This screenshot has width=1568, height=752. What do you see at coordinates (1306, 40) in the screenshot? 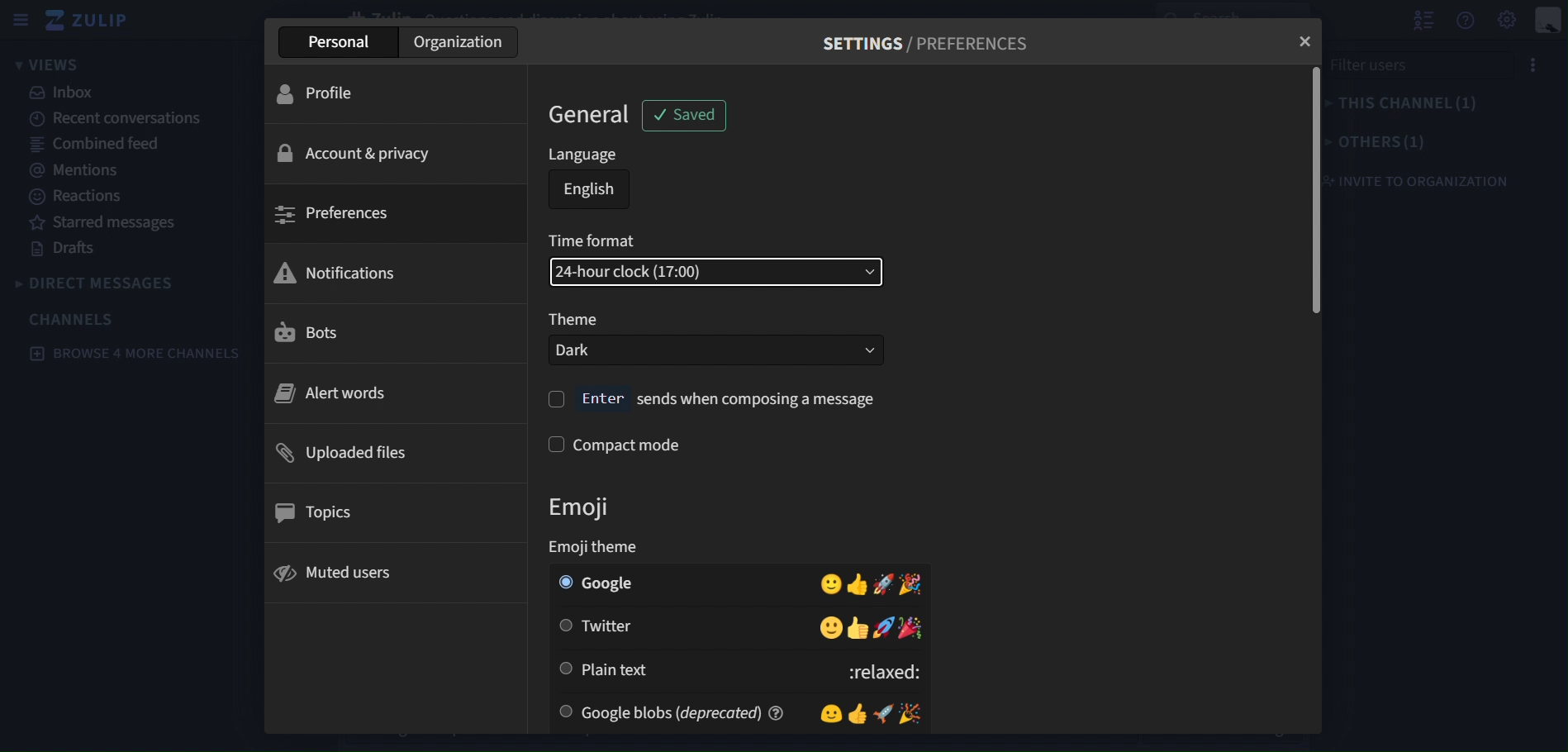
I see `close` at bounding box center [1306, 40].